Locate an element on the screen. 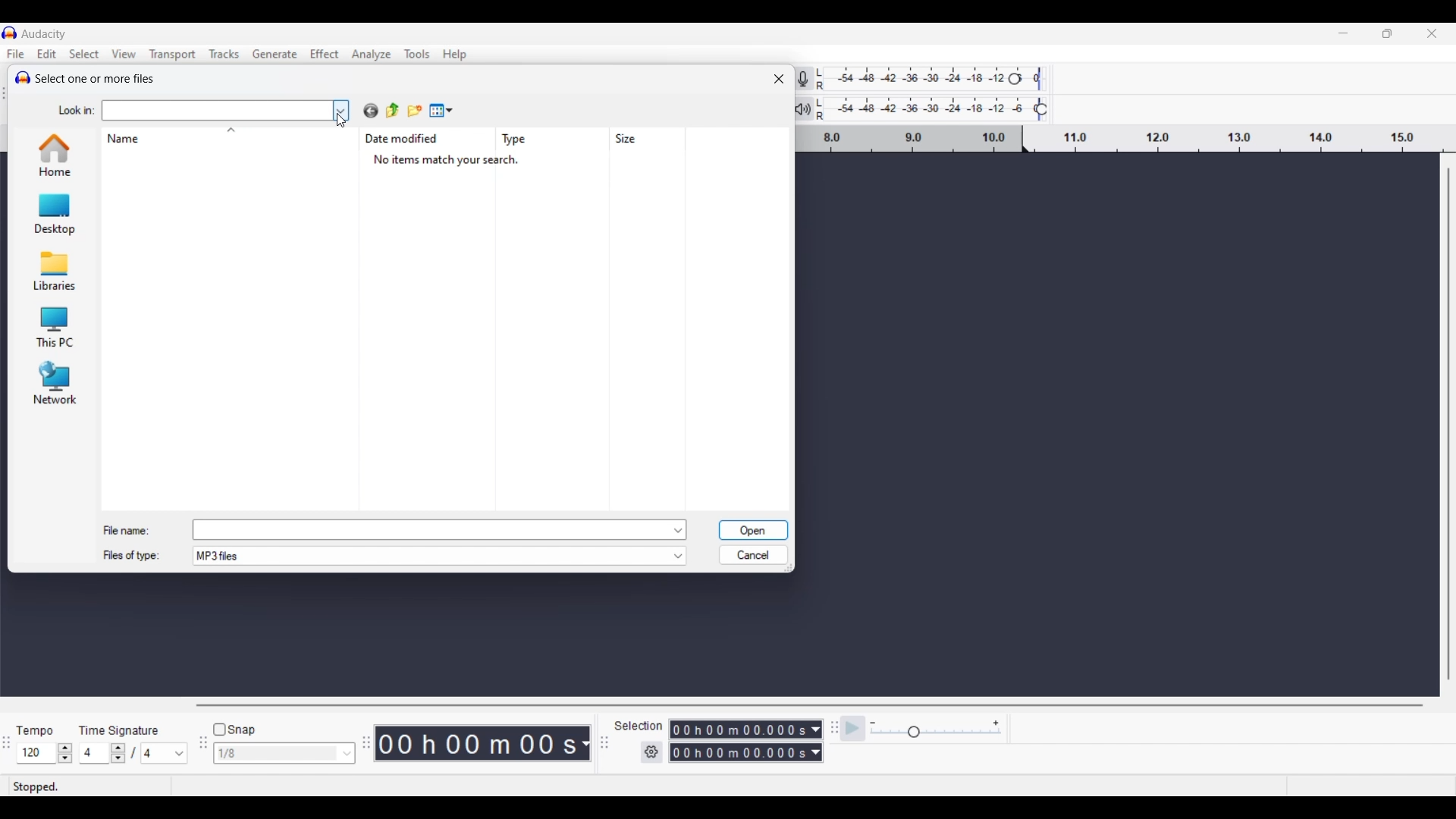 The image size is (1456, 819). Min. playback speed is located at coordinates (873, 723).